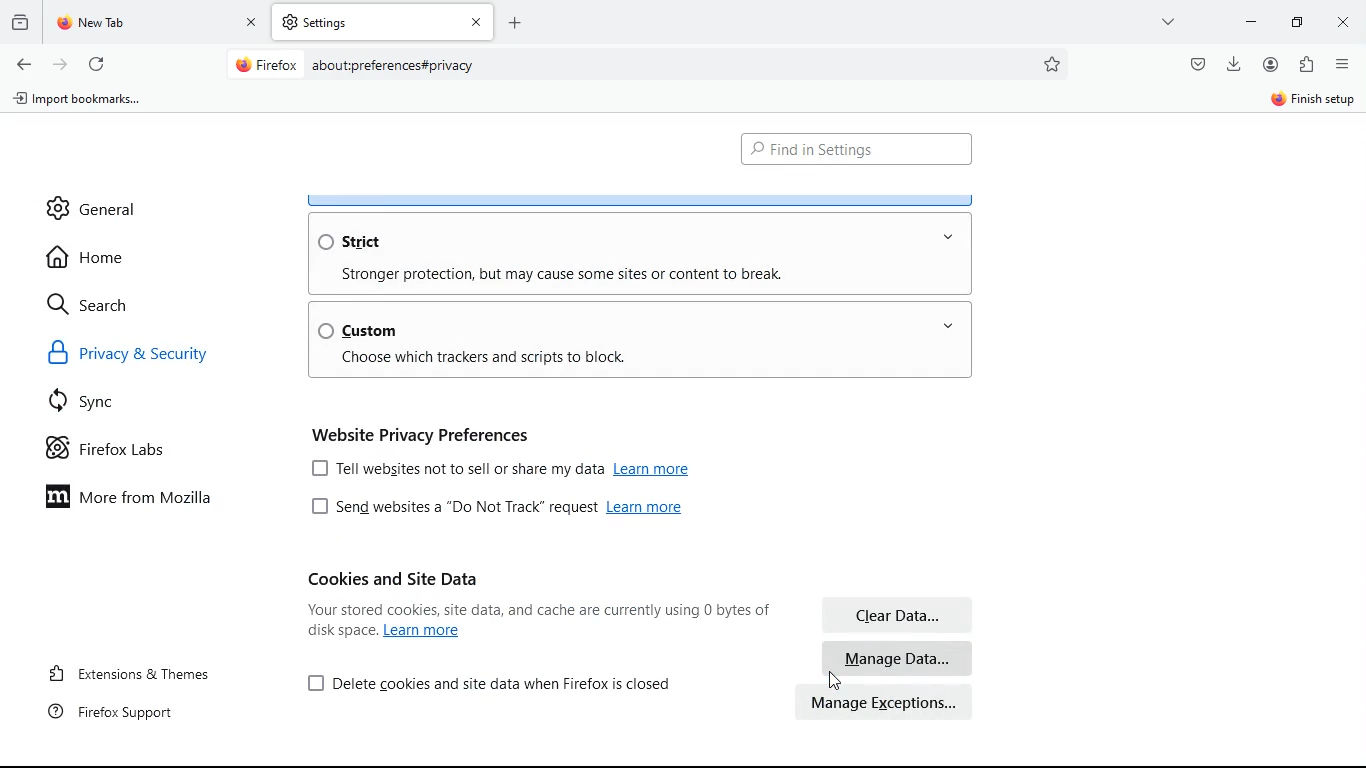 This screenshot has height=768, width=1366. Describe the element at coordinates (22, 65) in the screenshot. I see `back` at that location.